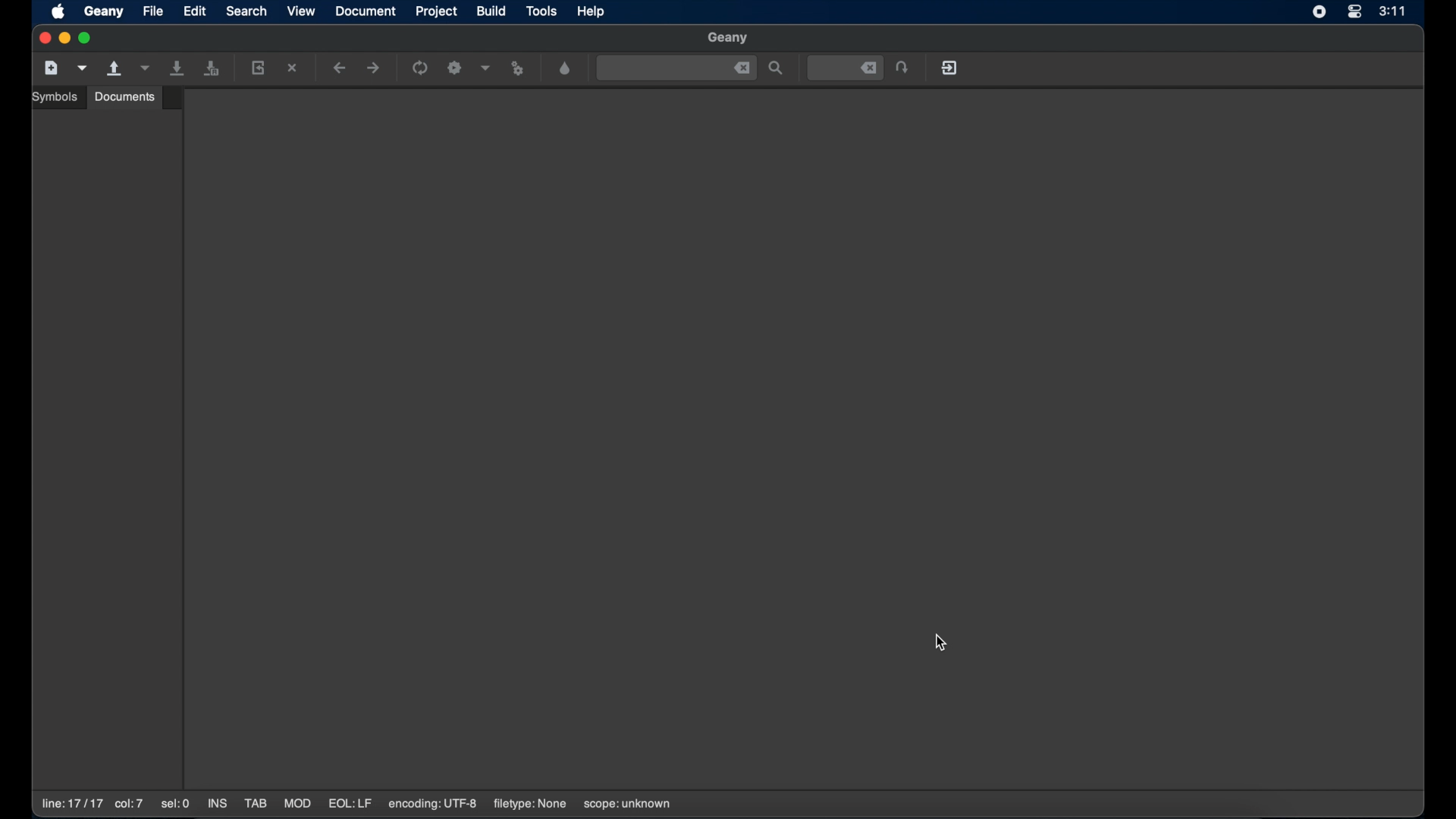 This screenshot has height=819, width=1456. I want to click on reload the current file, so click(259, 67).